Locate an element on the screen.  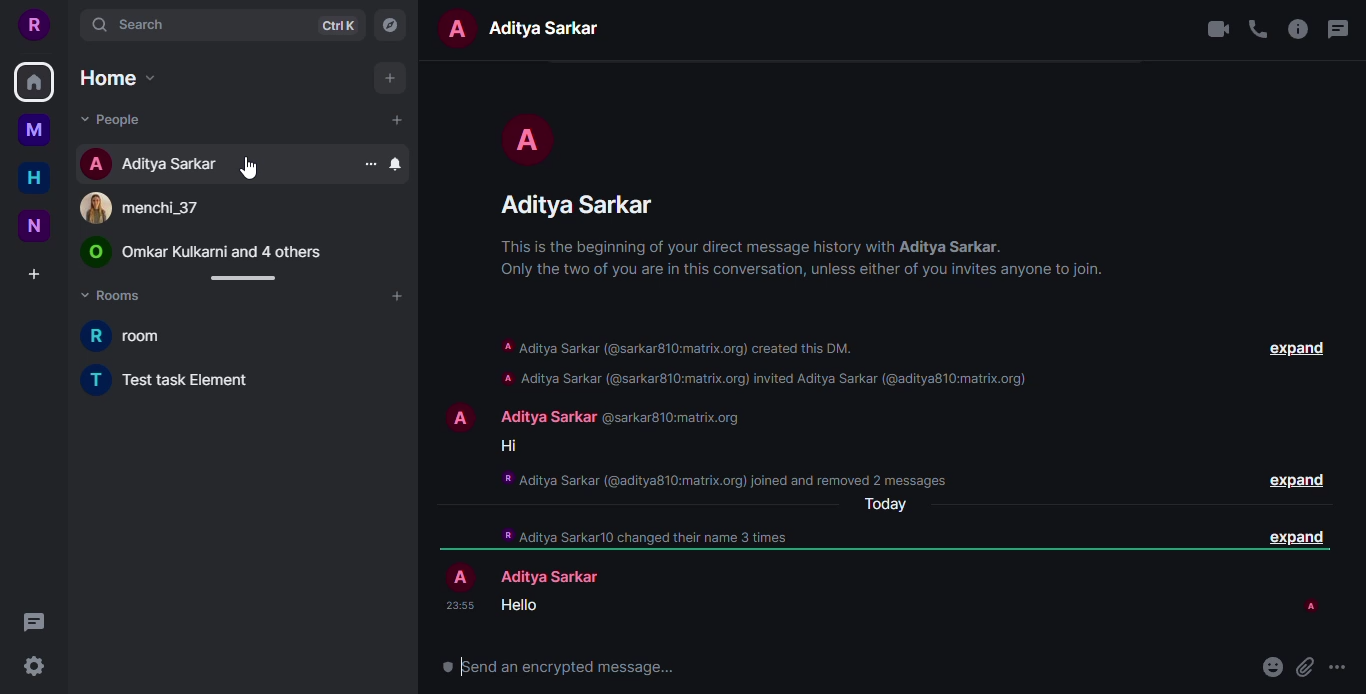
threads is located at coordinates (33, 623).